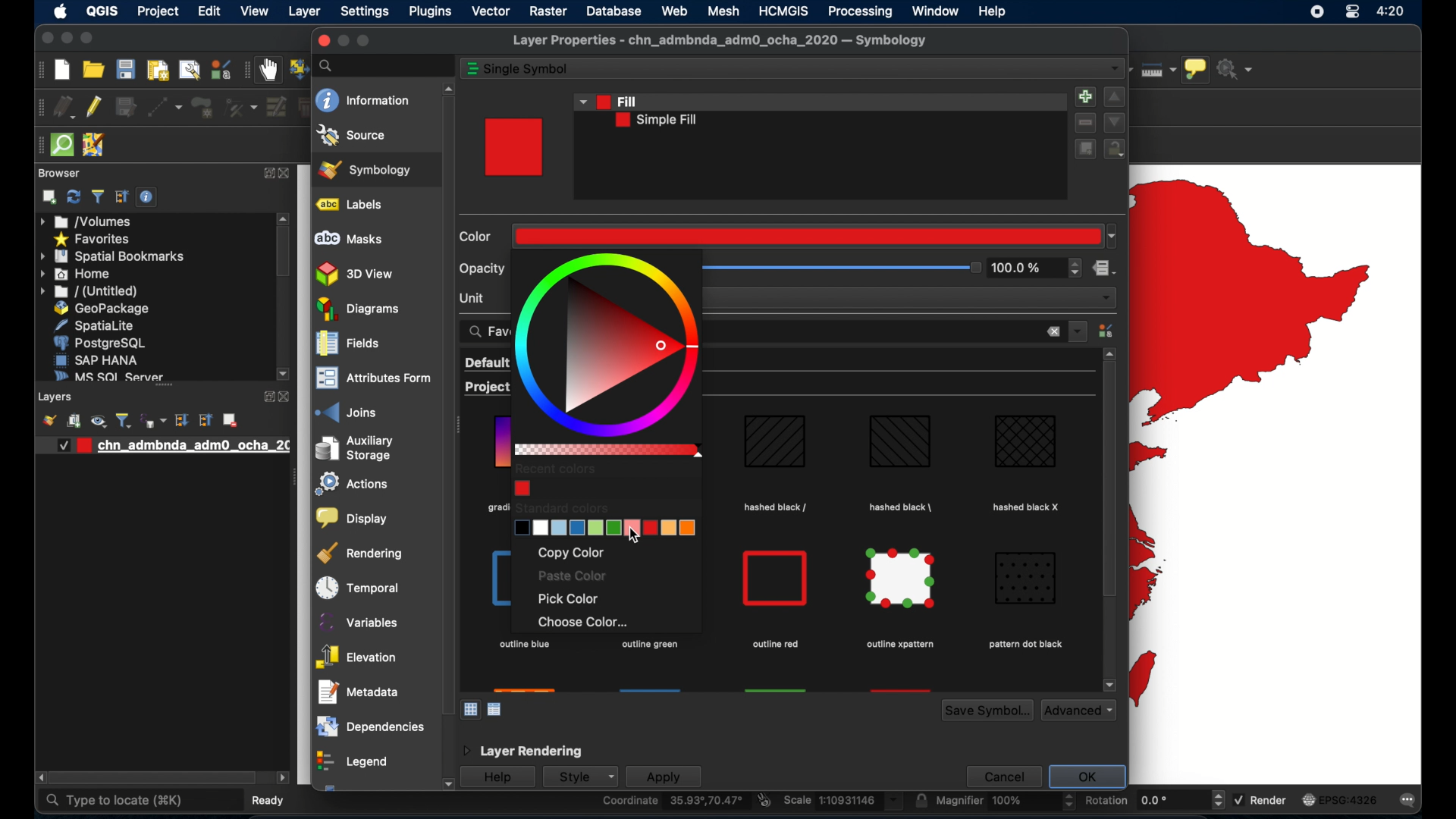  I want to click on increase or decrease rotation value, so click(1221, 800).